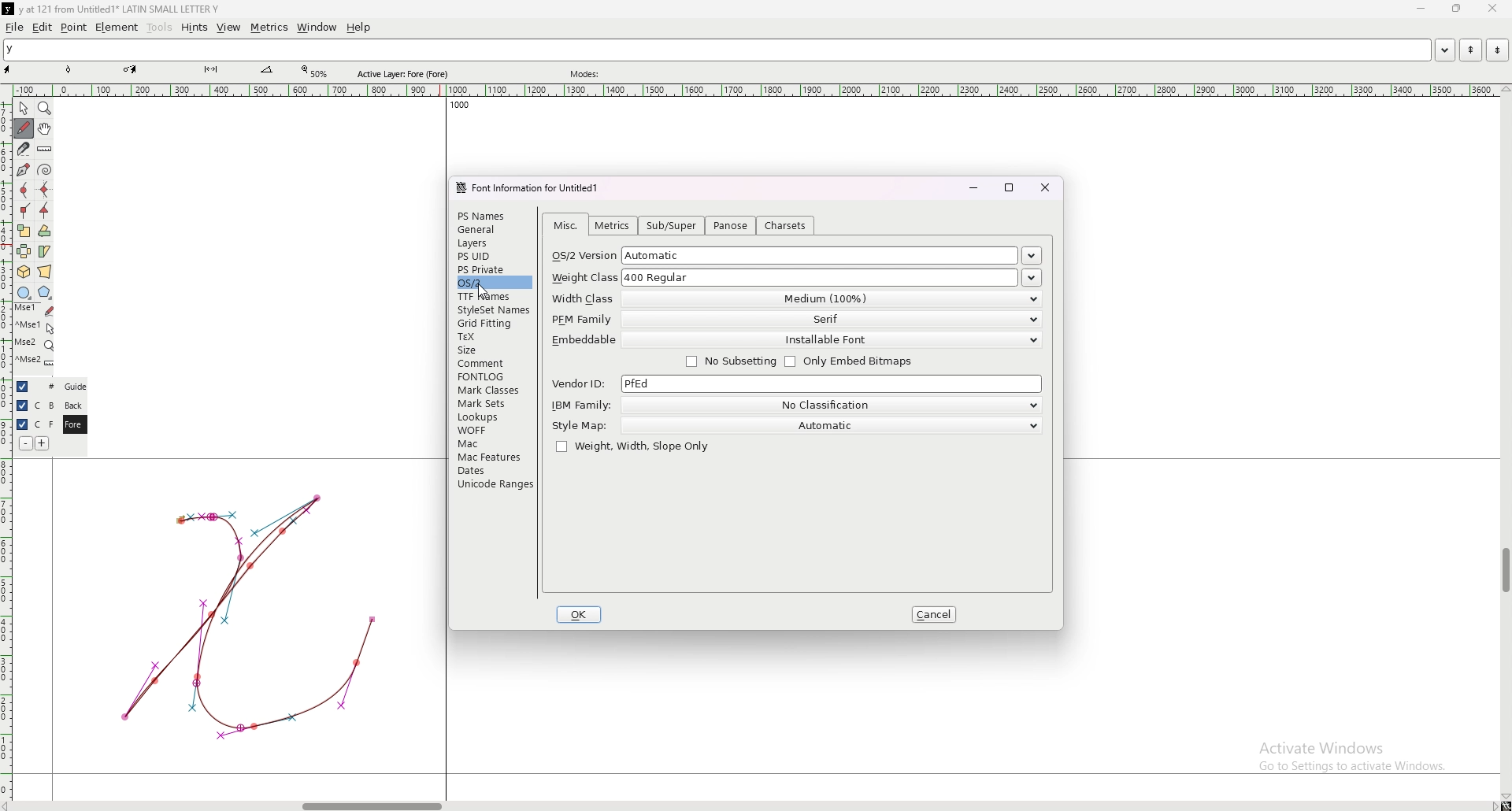  Describe the element at coordinates (160, 28) in the screenshot. I see `tools` at that location.